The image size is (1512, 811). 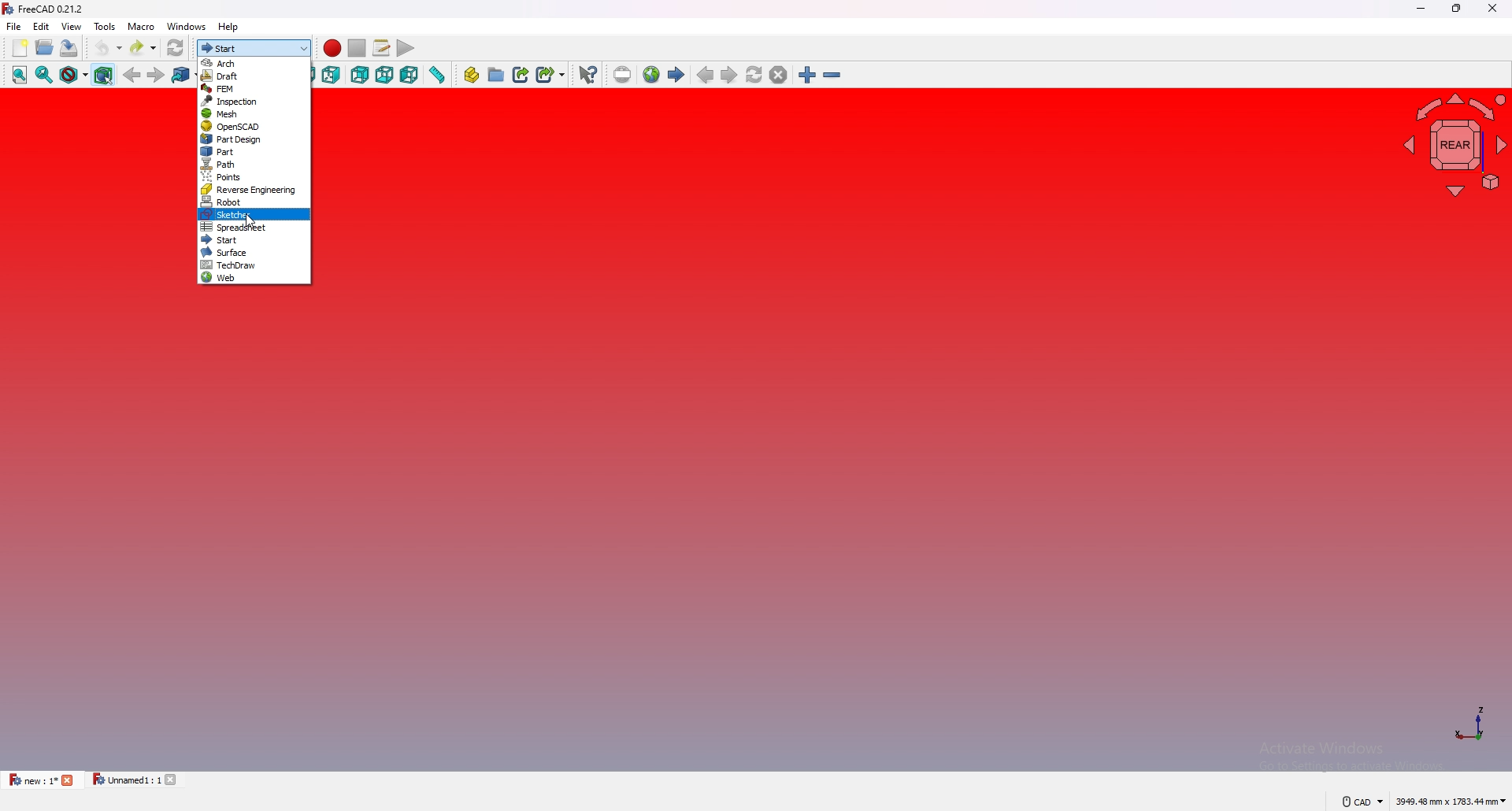 What do you see at coordinates (254, 277) in the screenshot?
I see `web` at bounding box center [254, 277].